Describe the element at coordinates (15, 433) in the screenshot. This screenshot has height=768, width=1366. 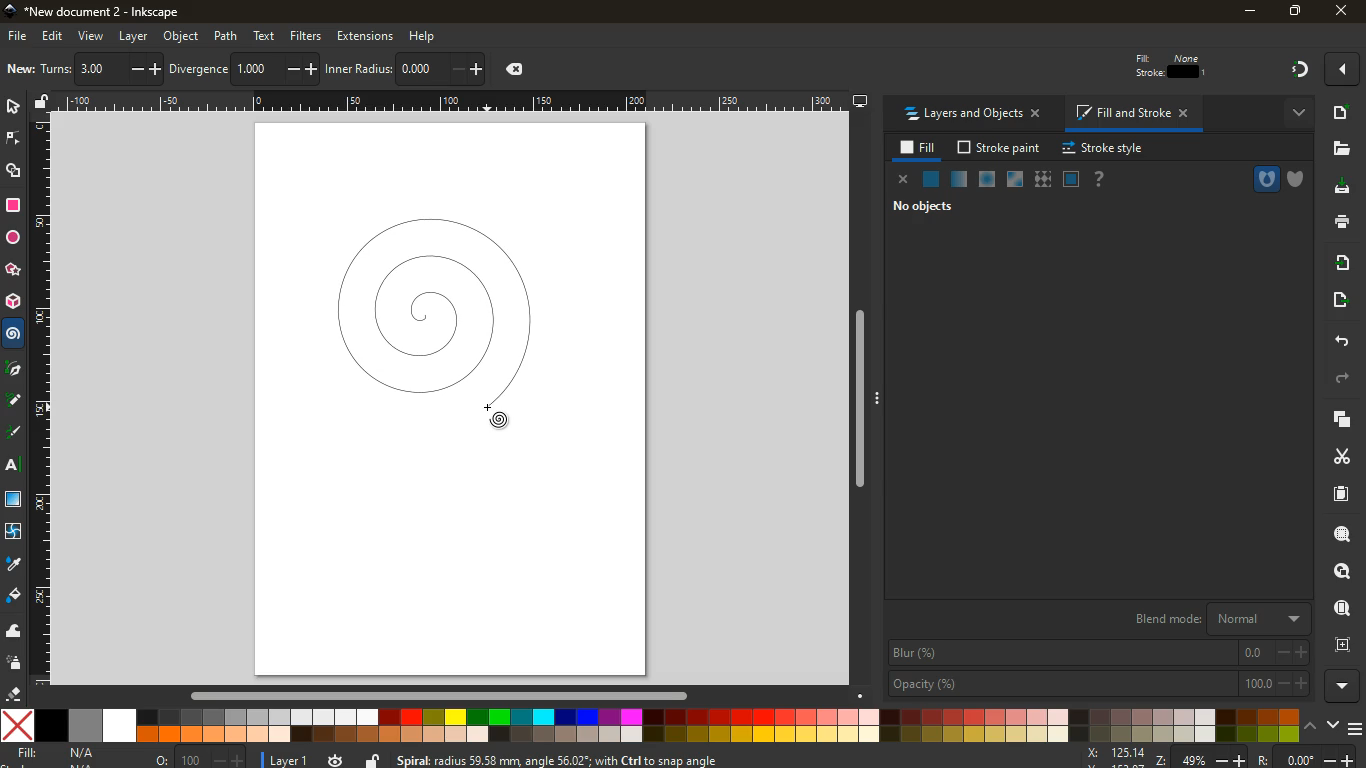
I see `r` at that location.